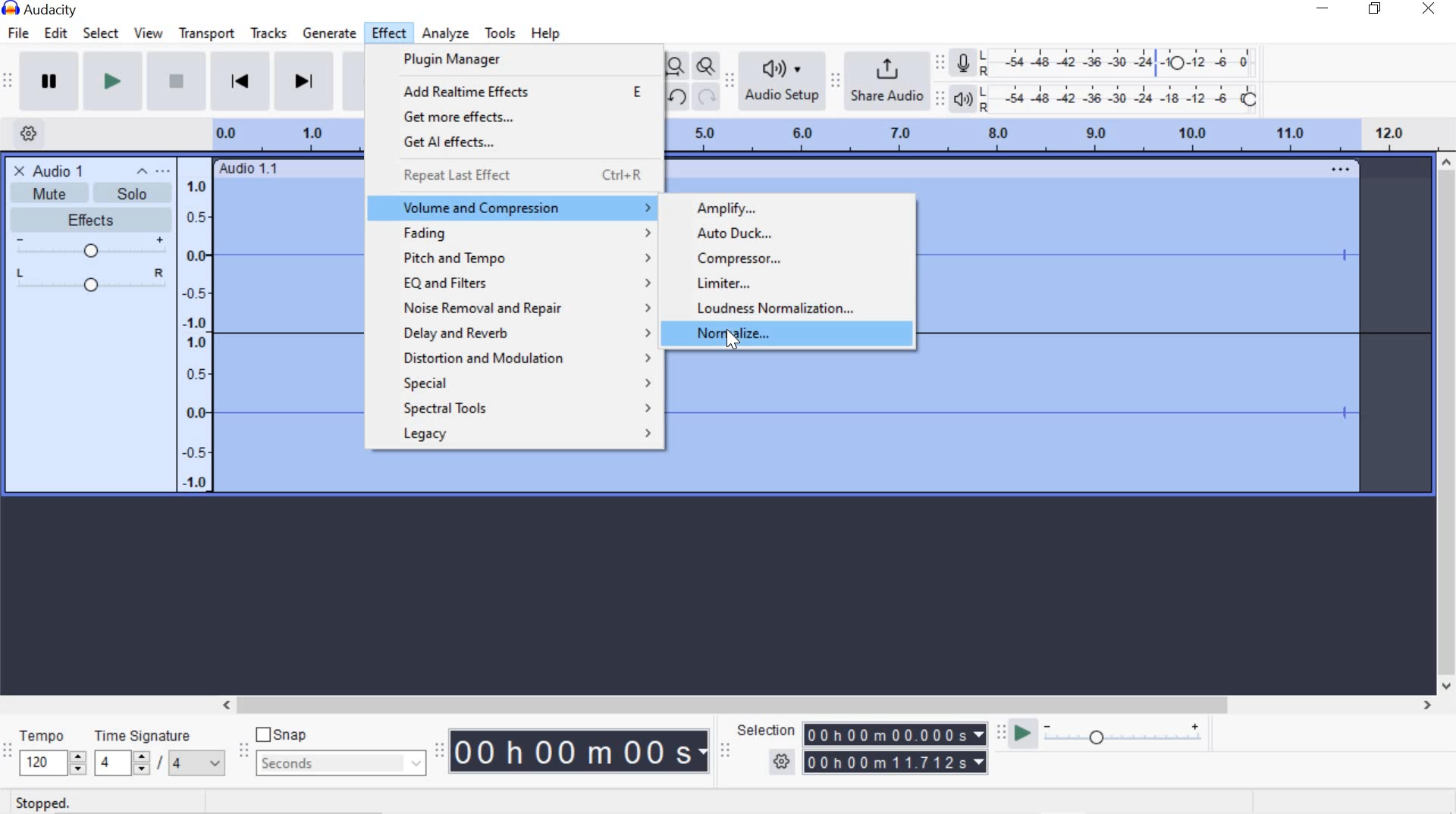 This screenshot has height=814, width=1456. Describe the element at coordinates (128, 193) in the screenshot. I see `SOLO` at that location.